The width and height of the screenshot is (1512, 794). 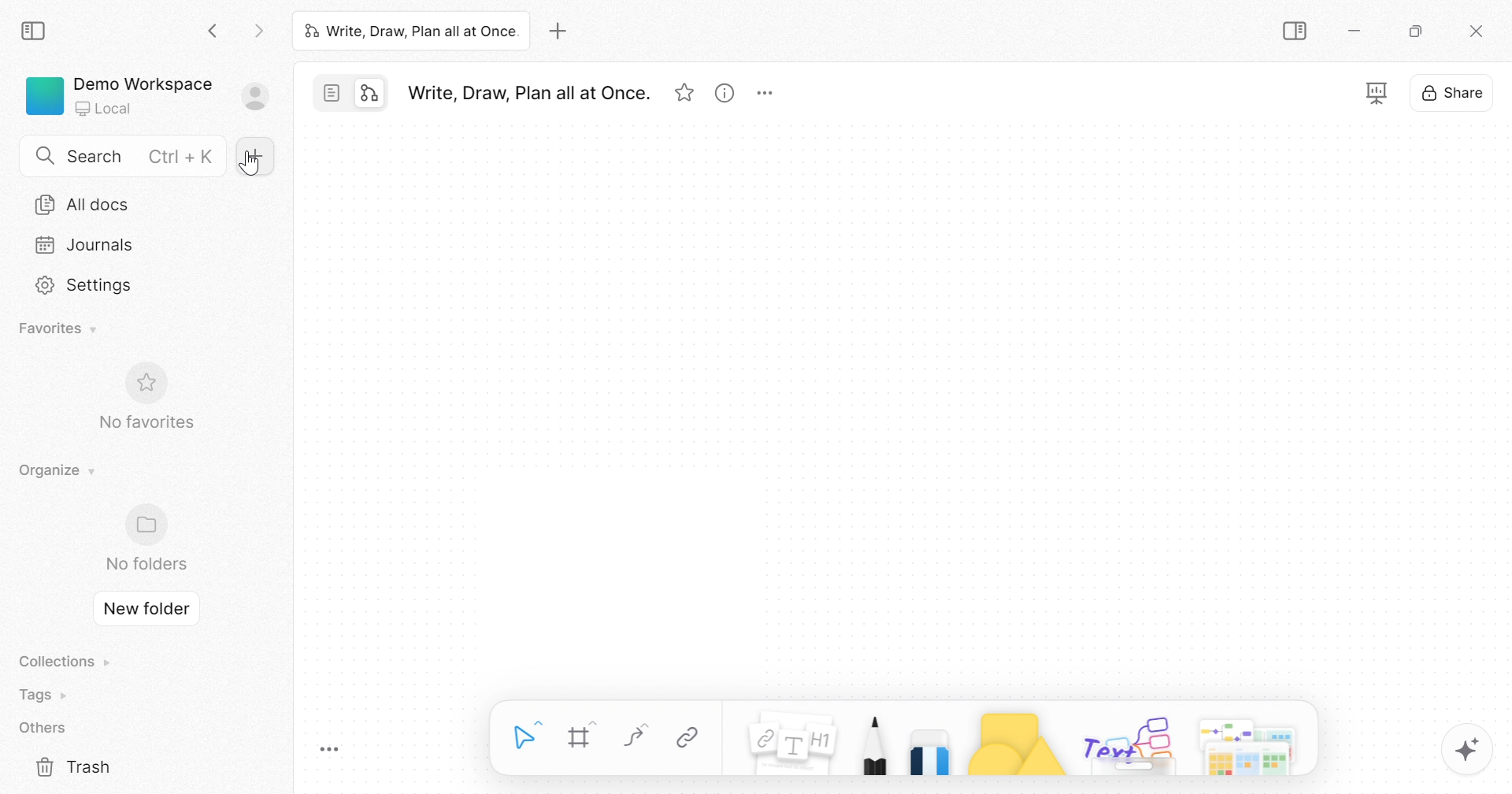 I want to click on More options, so click(x=1251, y=739).